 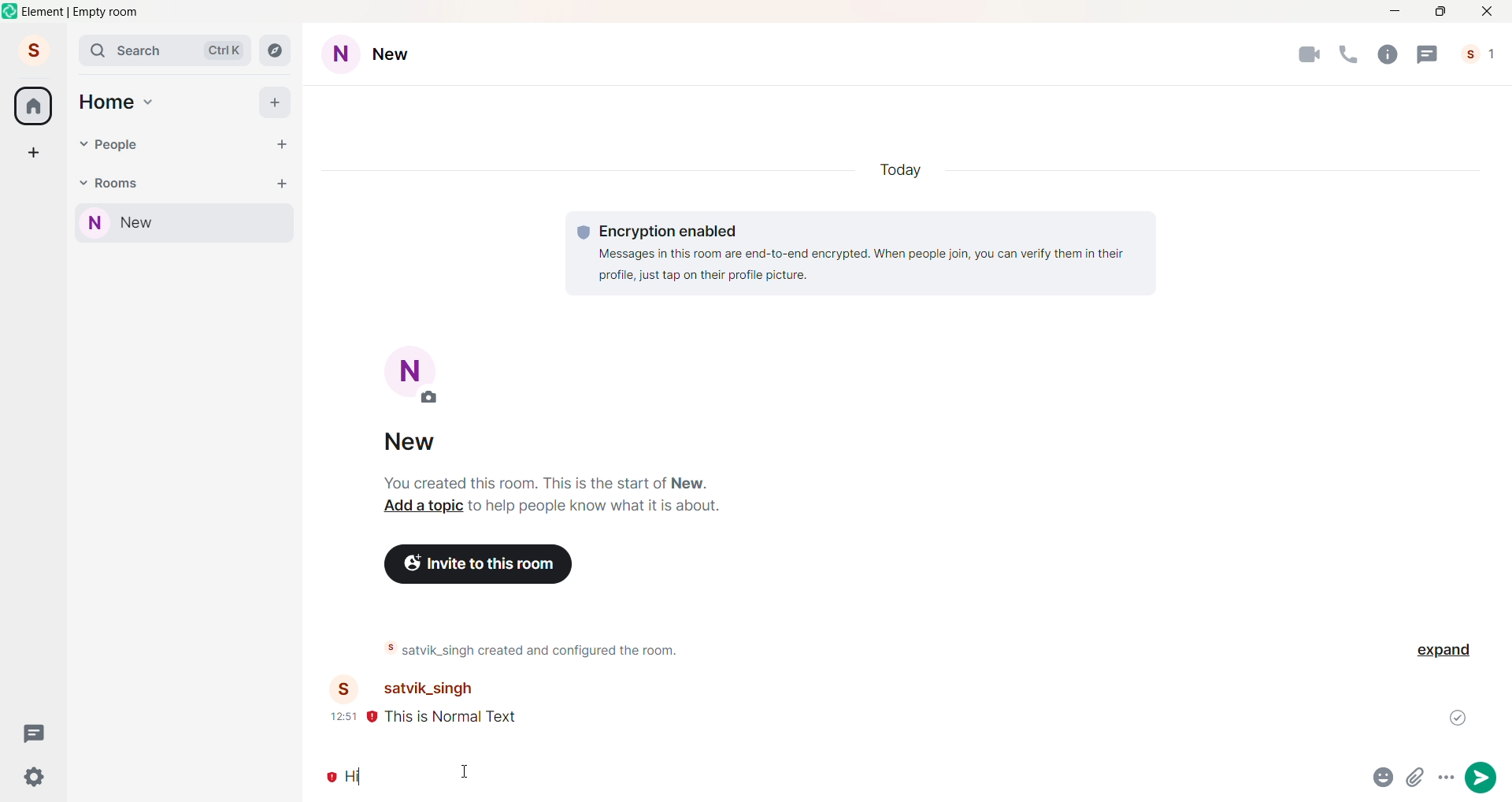 I want to click on People drop down, so click(x=83, y=144).